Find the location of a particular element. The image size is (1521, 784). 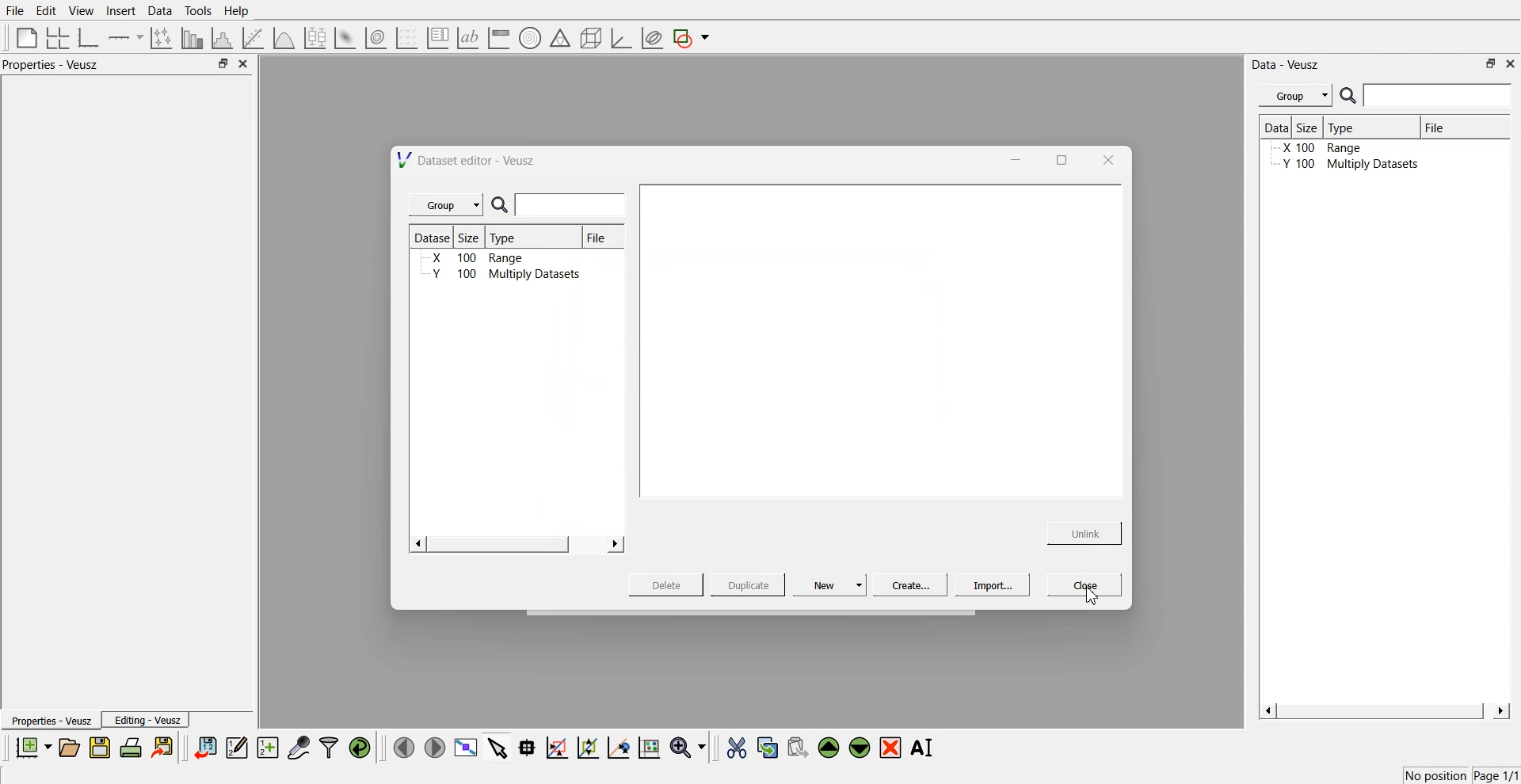

Type is located at coordinates (1369, 127).